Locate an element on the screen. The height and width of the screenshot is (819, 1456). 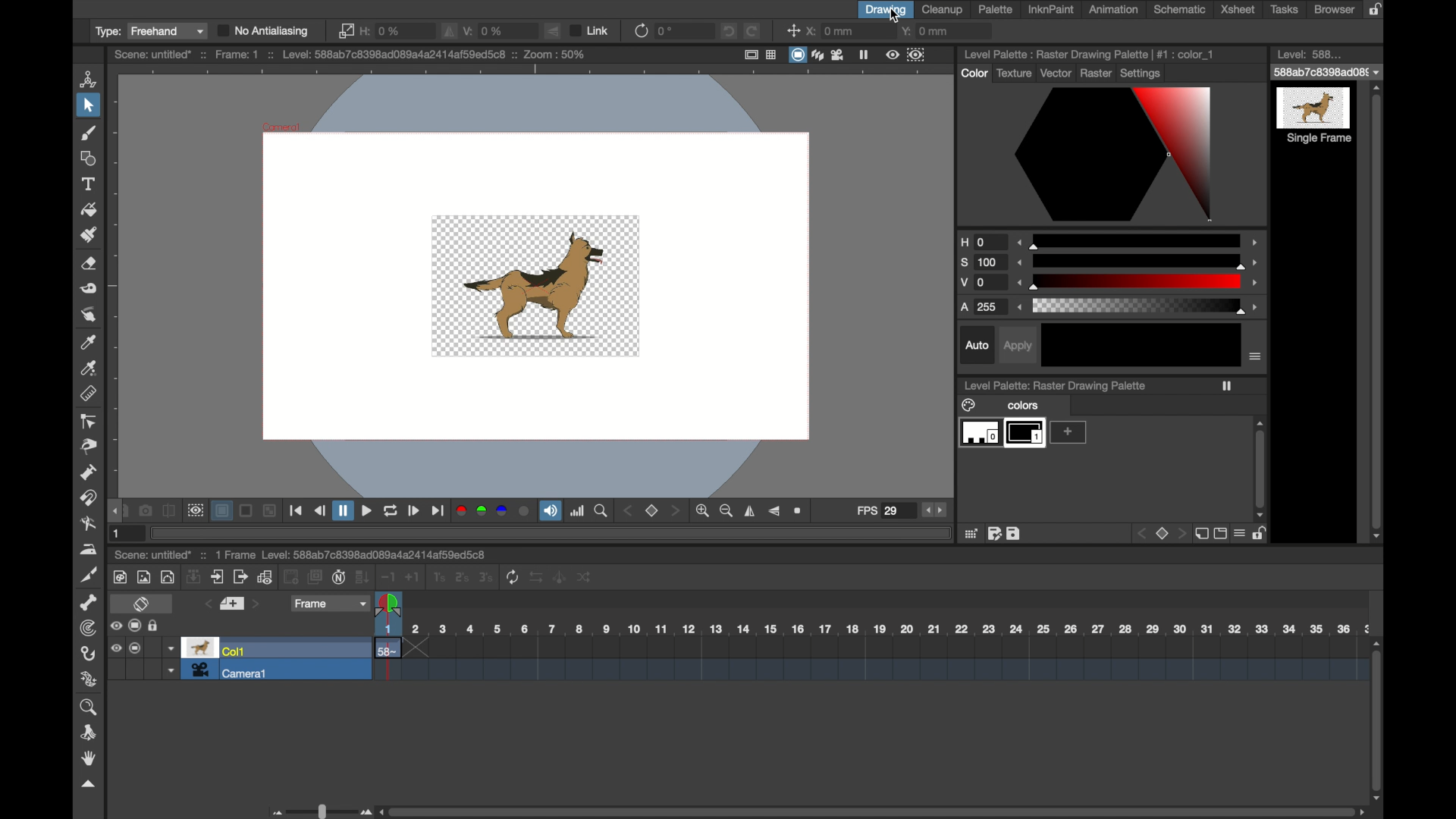
1 is located at coordinates (118, 534).